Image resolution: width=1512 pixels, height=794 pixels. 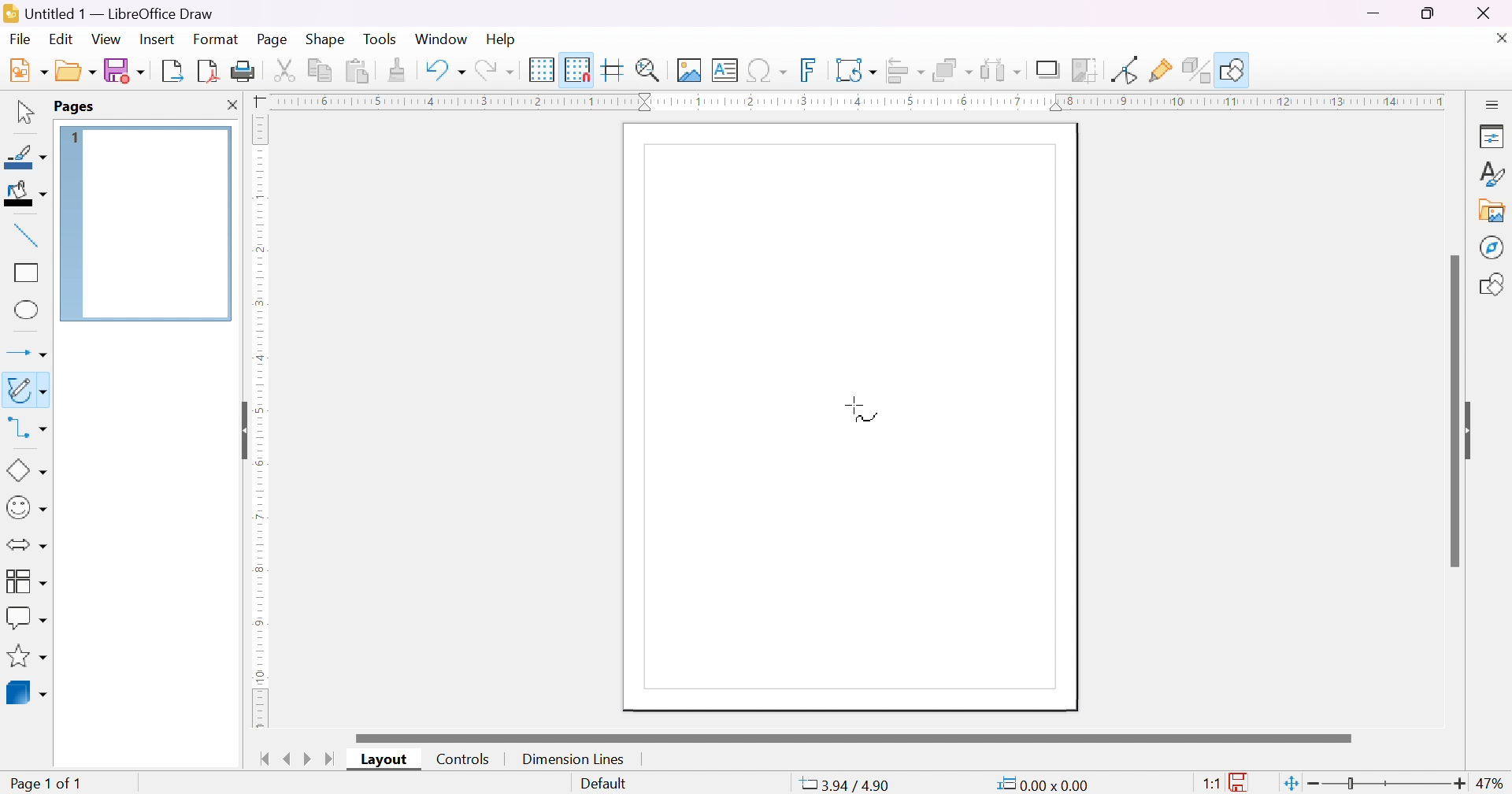 I want to click on edit, so click(x=61, y=37).